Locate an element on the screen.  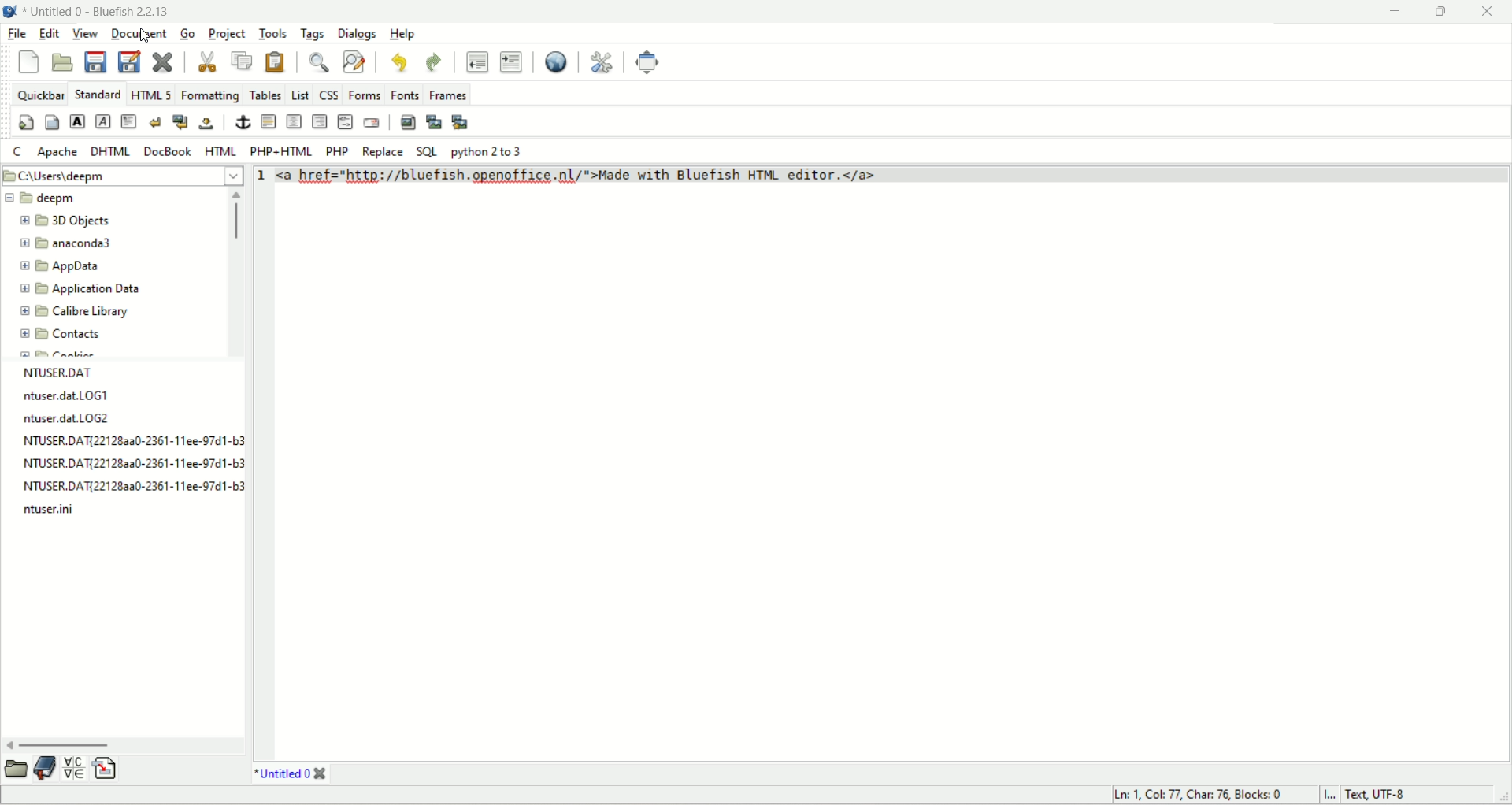
replace is located at coordinates (380, 151).